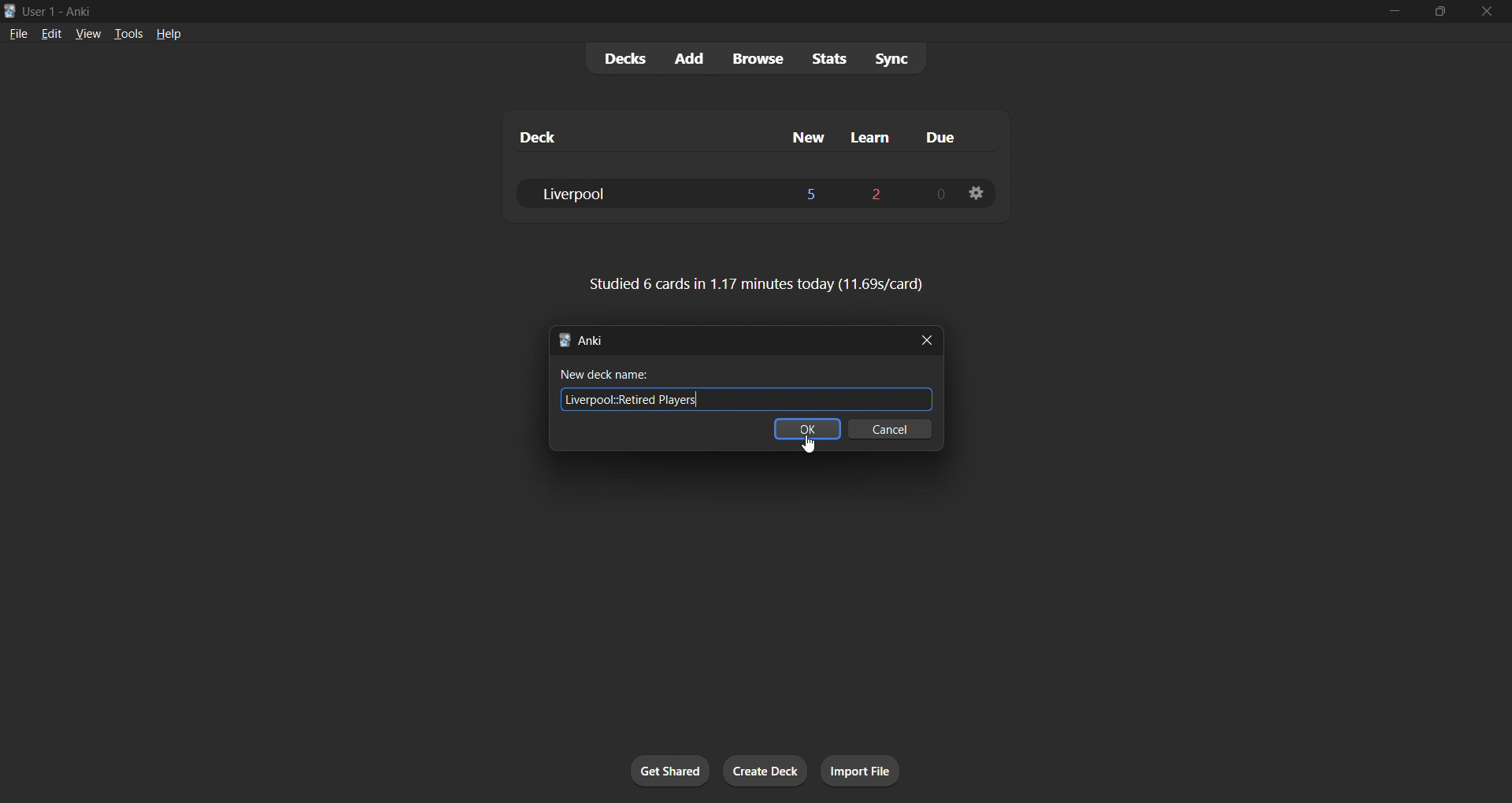 Image resolution: width=1512 pixels, height=803 pixels. What do you see at coordinates (732, 193) in the screenshot?
I see `liverpool deck data` at bounding box center [732, 193].